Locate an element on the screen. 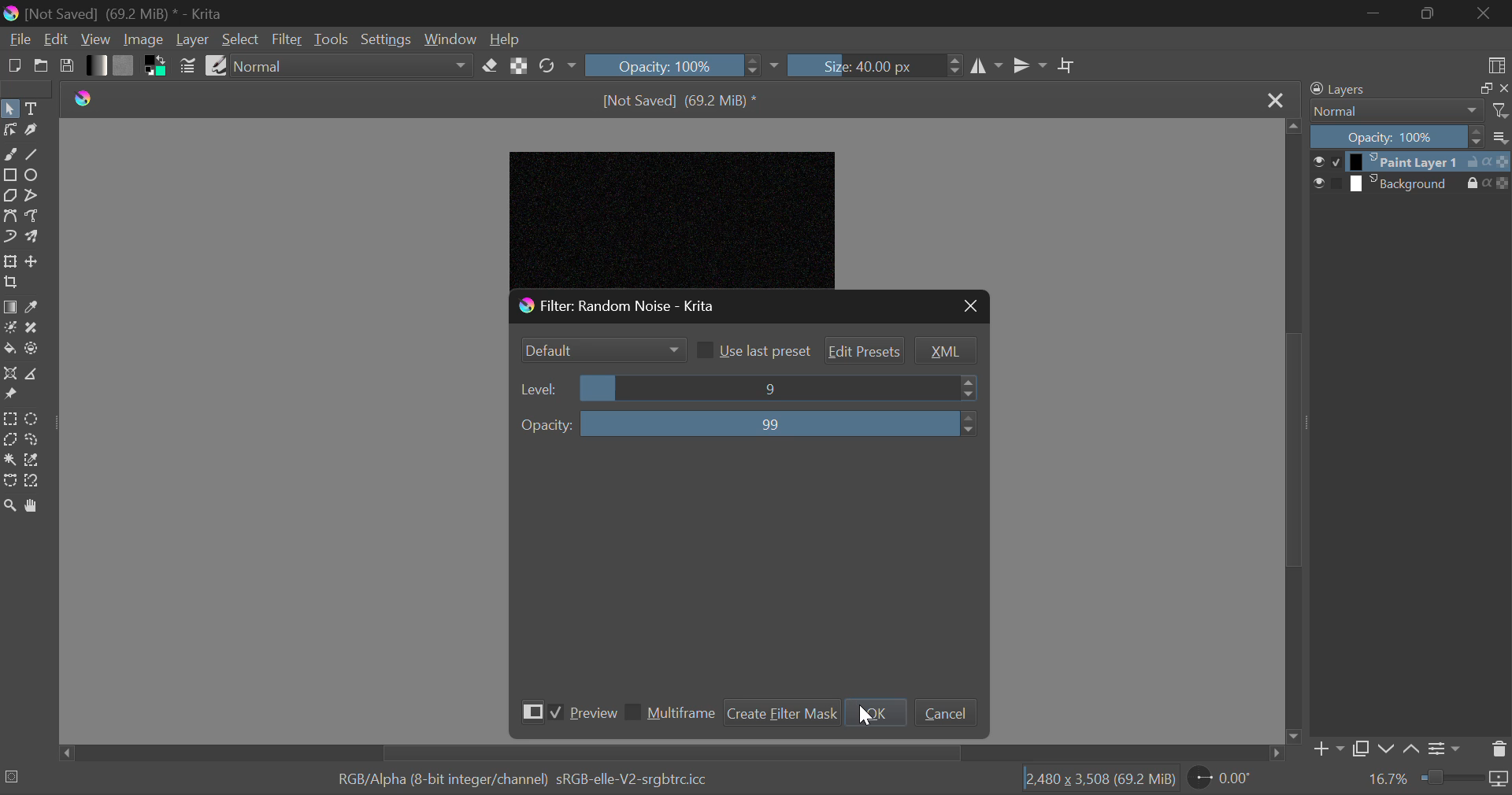 The width and height of the screenshot is (1512, 795). opacity is located at coordinates (1499, 182).